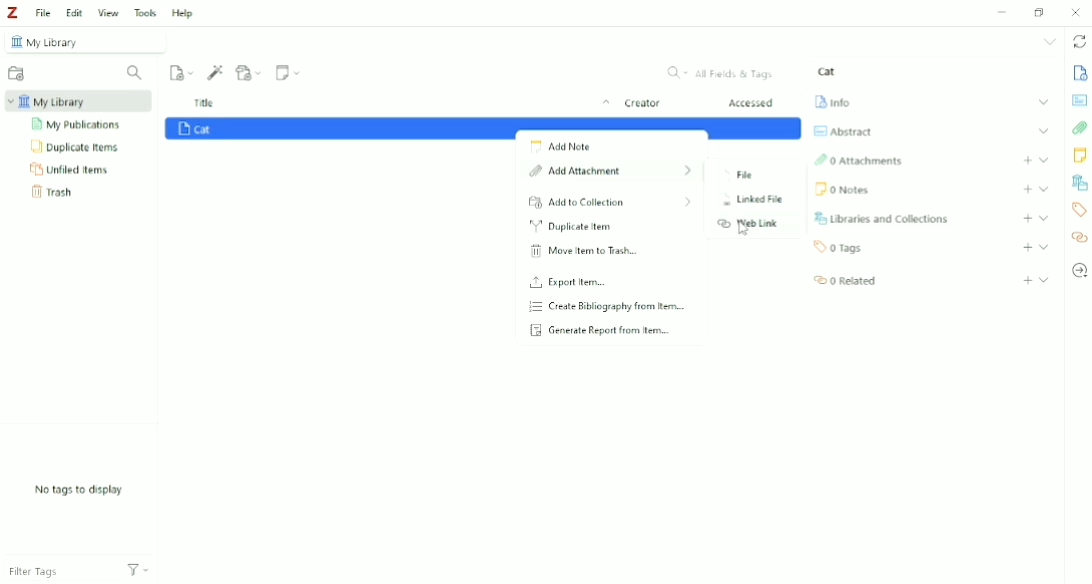 Image resolution: width=1092 pixels, height=584 pixels. What do you see at coordinates (1045, 279) in the screenshot?
I see `Expand section` at bounding box center [1045, 279].